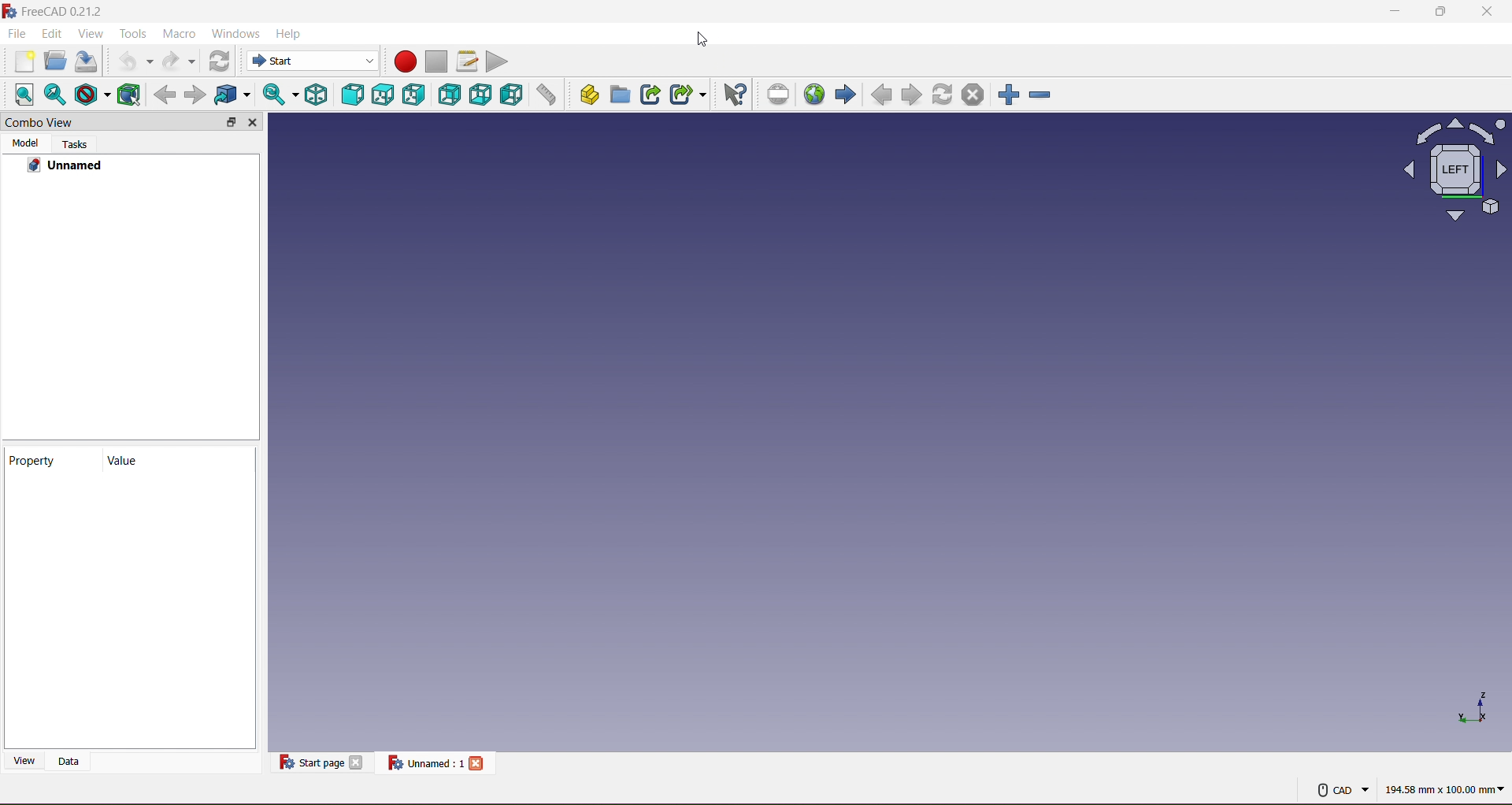 The image size is (1512, 805). I want to click on Go Back, so click(165, 95).